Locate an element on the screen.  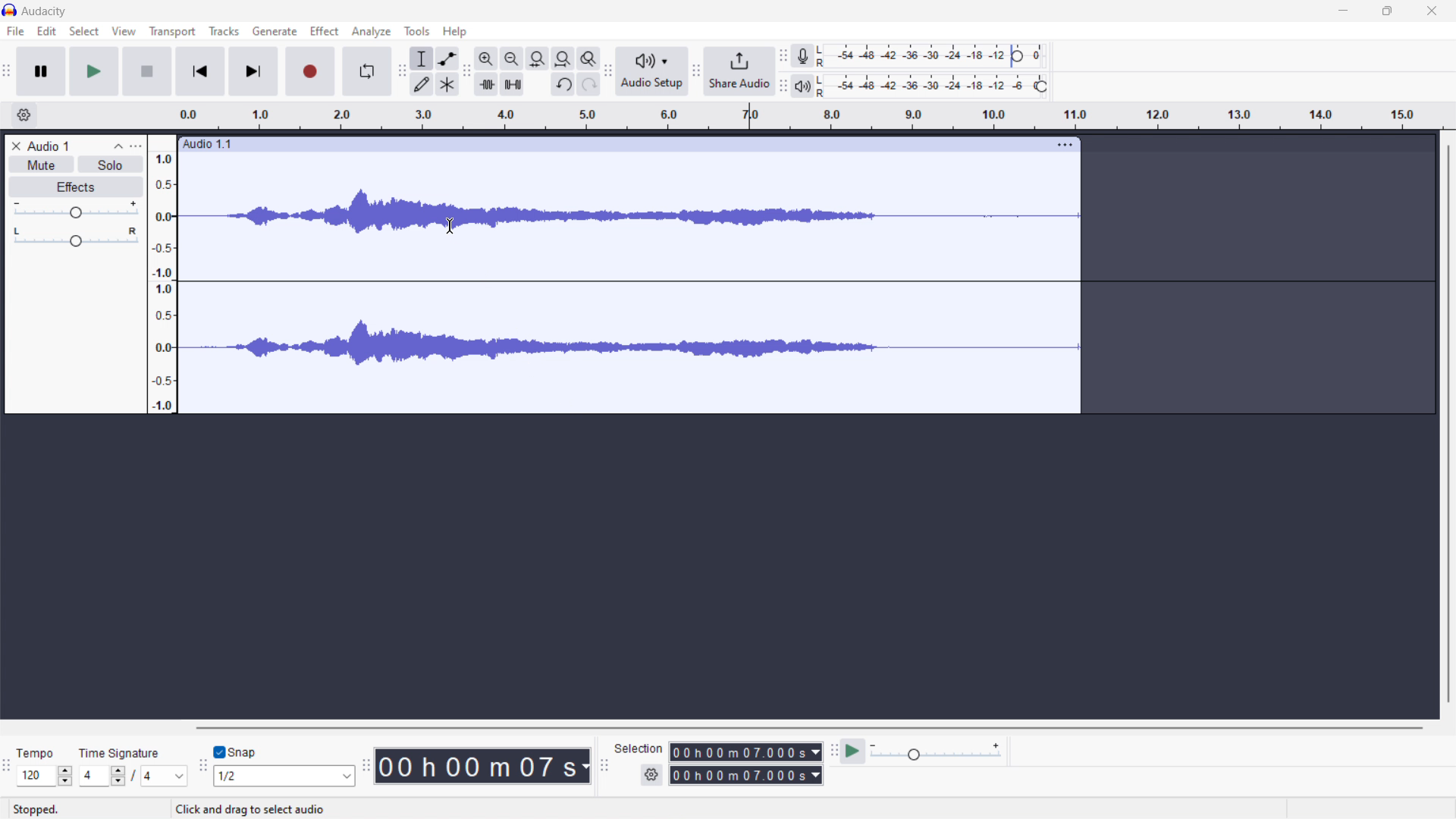
tracks is located at coordinates (224, 31).